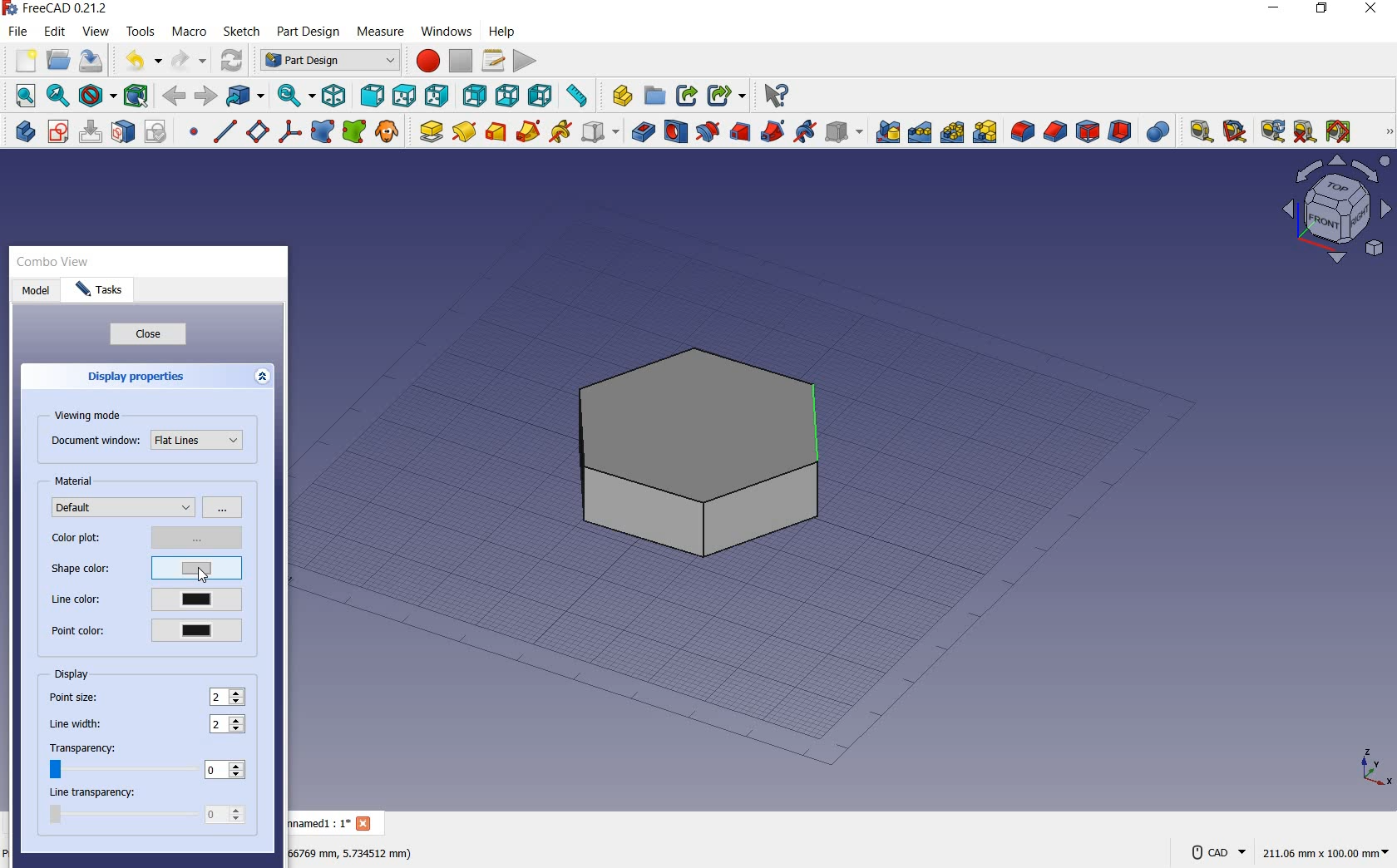  What do you see at coordinates (1275, 11) in the screenshot?
I see `MINIMIZE` at bounding box center [1275, 11].